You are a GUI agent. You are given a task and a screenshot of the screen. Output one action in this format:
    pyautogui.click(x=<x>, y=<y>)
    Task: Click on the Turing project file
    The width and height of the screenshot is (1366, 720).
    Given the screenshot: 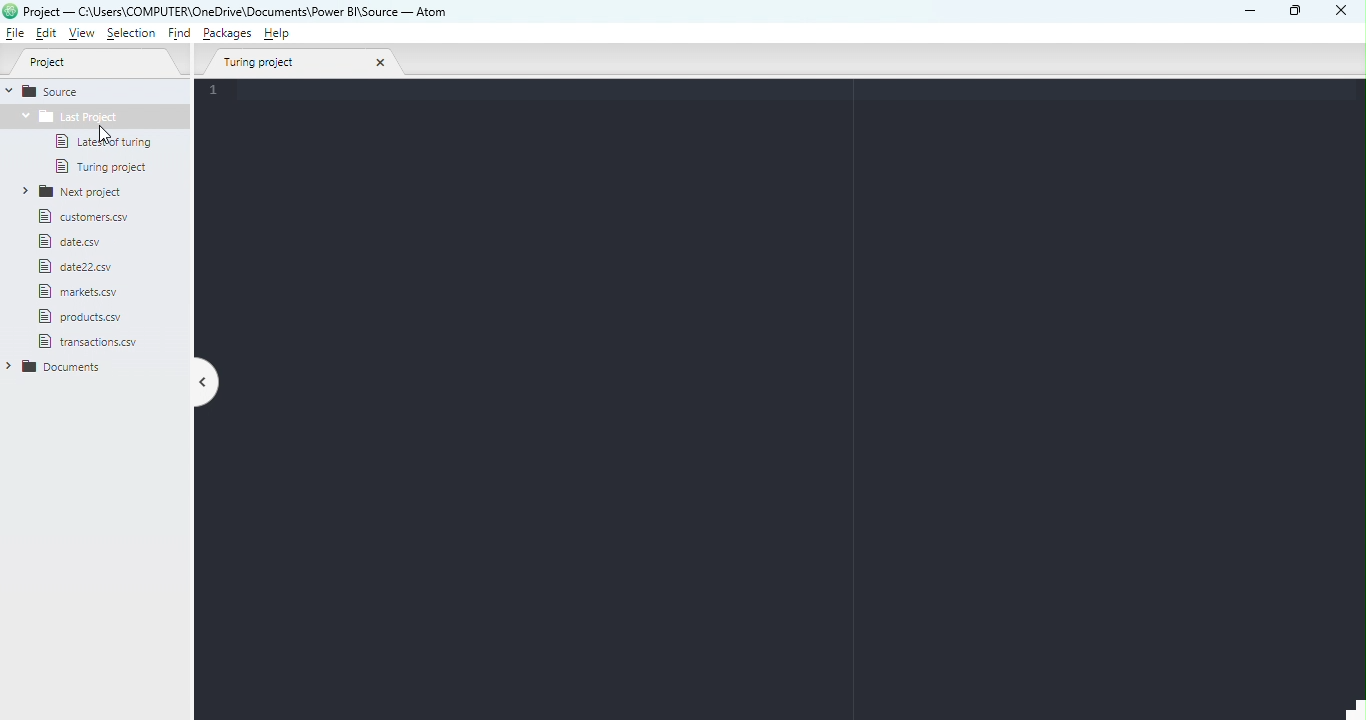 What is the action you would take?
    pyautogui.click(x=305, y=65)
    